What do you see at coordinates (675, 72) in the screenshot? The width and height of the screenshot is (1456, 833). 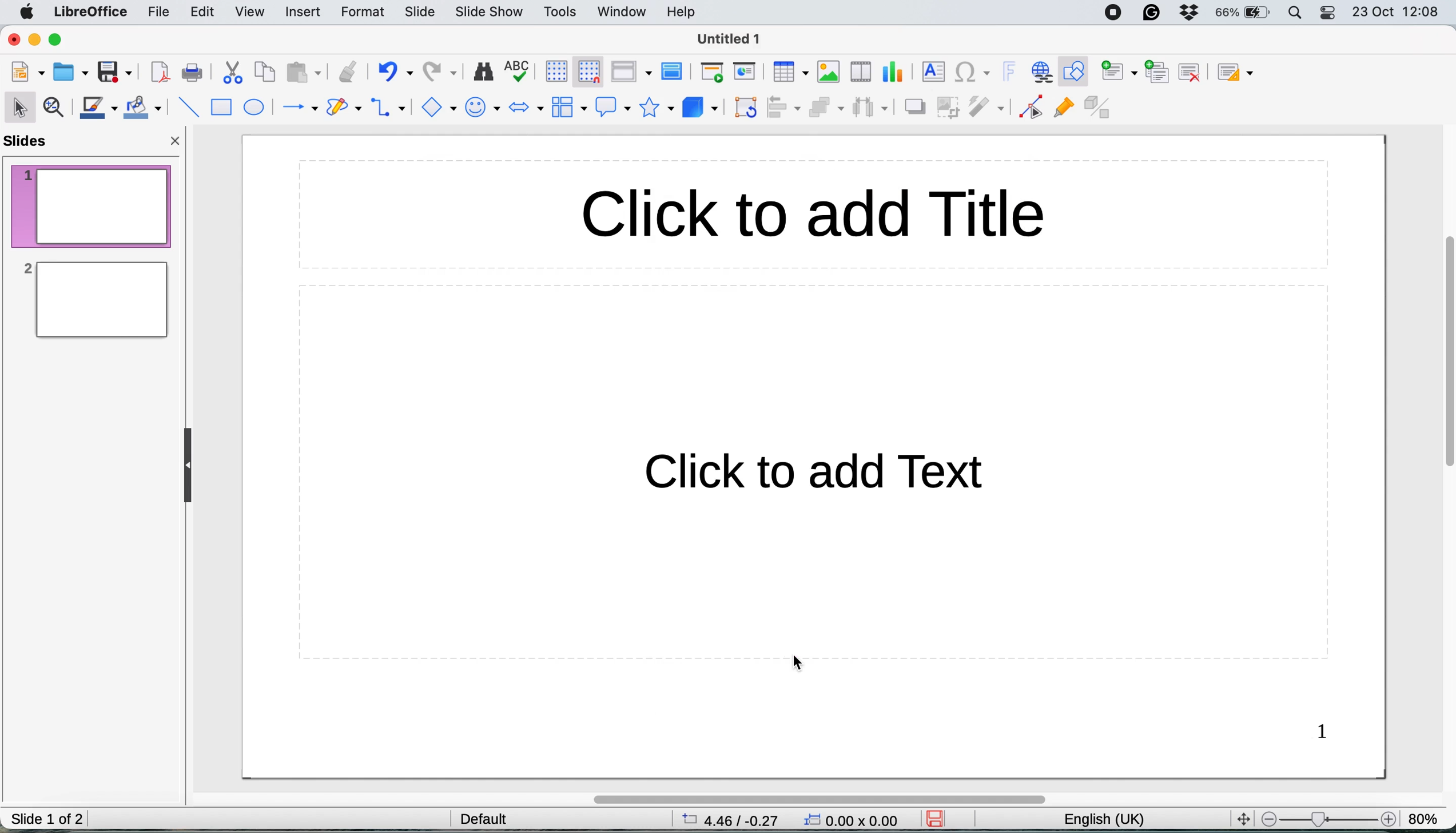 I see `master slide` at bounding box center [675, 72].